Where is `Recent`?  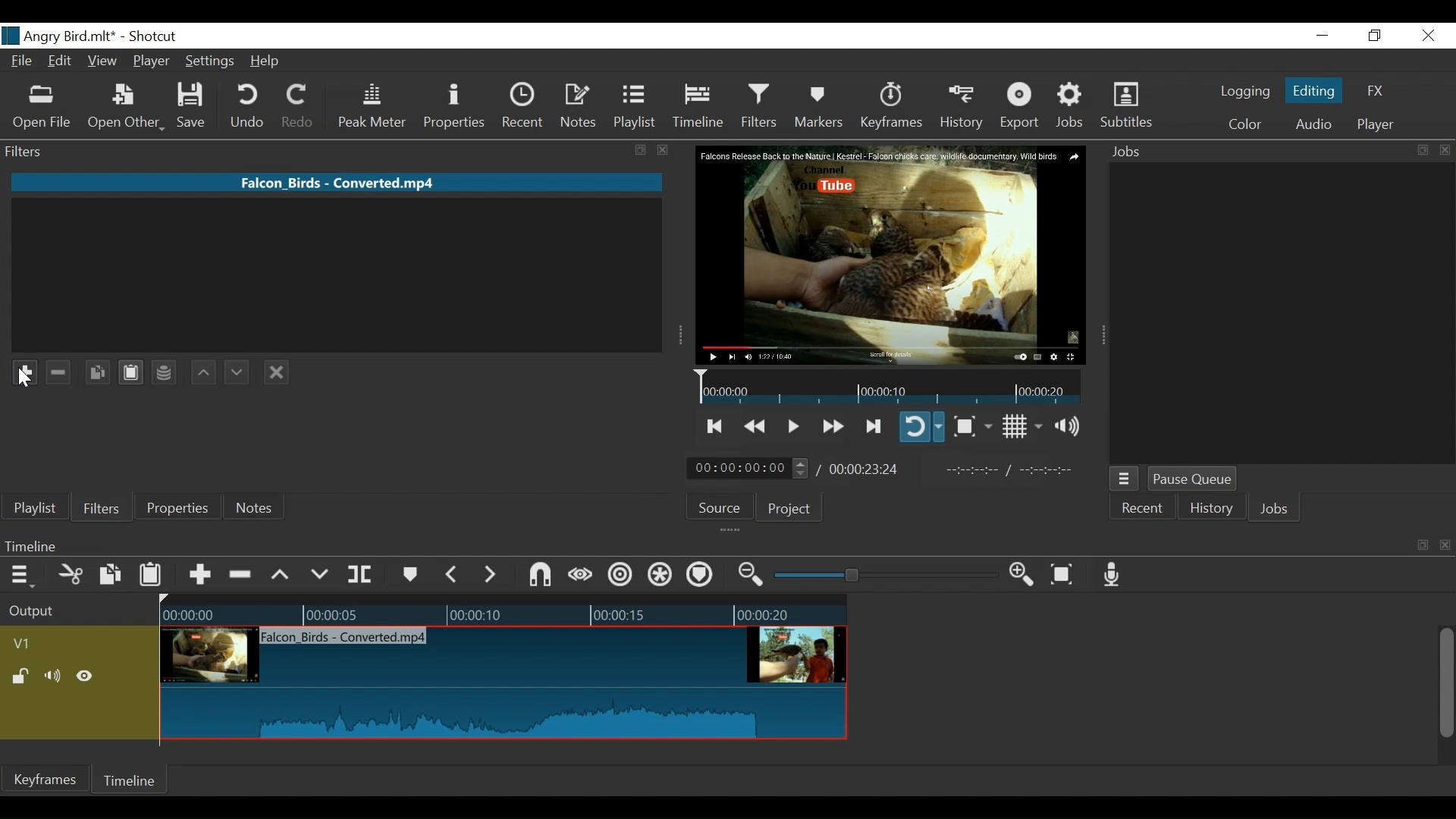 Recent is located at coordinates (526, 106).